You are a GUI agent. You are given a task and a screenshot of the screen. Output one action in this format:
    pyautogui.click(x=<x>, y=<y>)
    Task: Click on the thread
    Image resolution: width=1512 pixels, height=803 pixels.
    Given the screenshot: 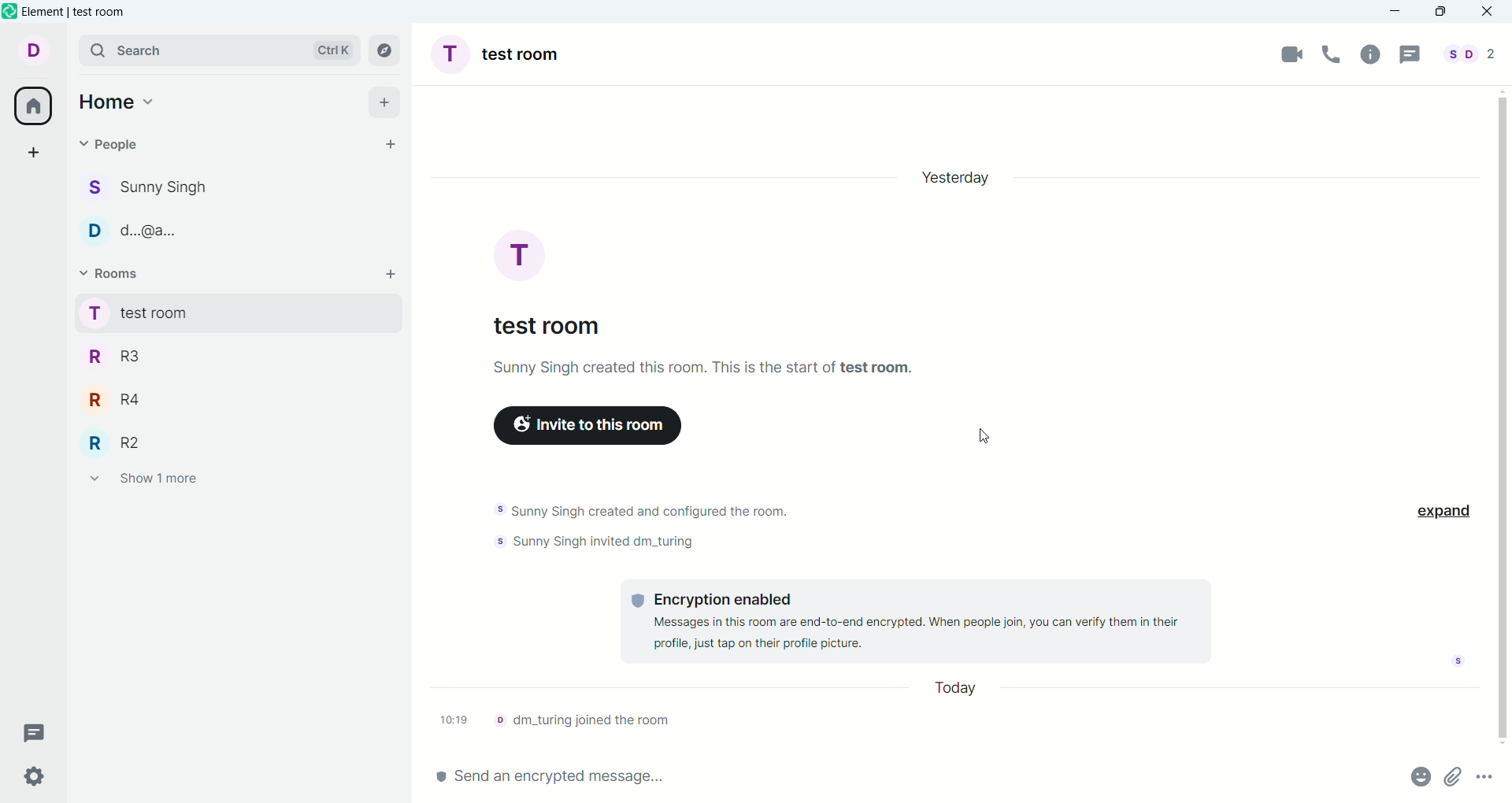 What is the action you would take?
    pyautogui.click(x=1411, y=54)
    